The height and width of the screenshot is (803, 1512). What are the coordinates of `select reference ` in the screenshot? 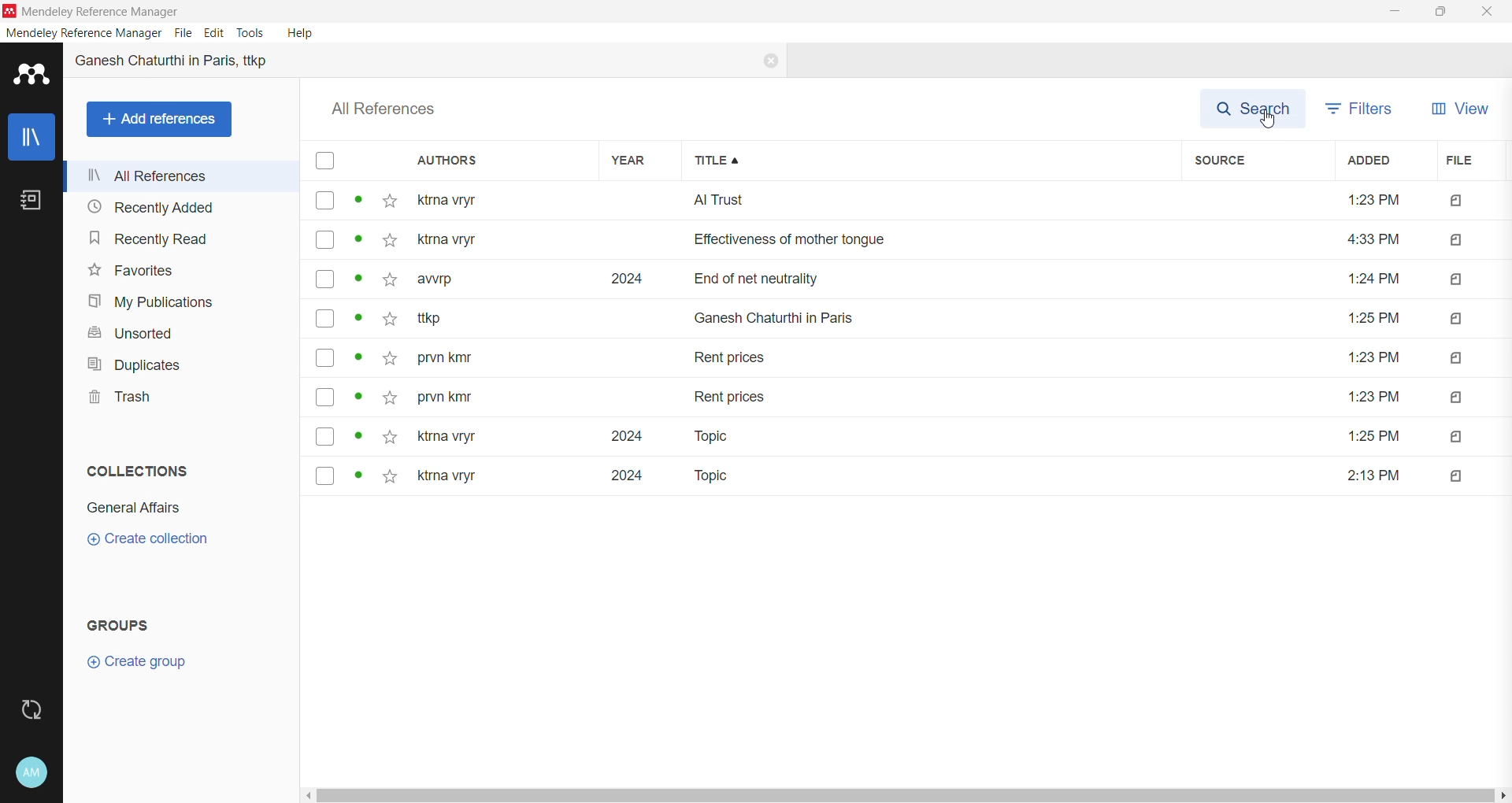 It's located at (325, 396).